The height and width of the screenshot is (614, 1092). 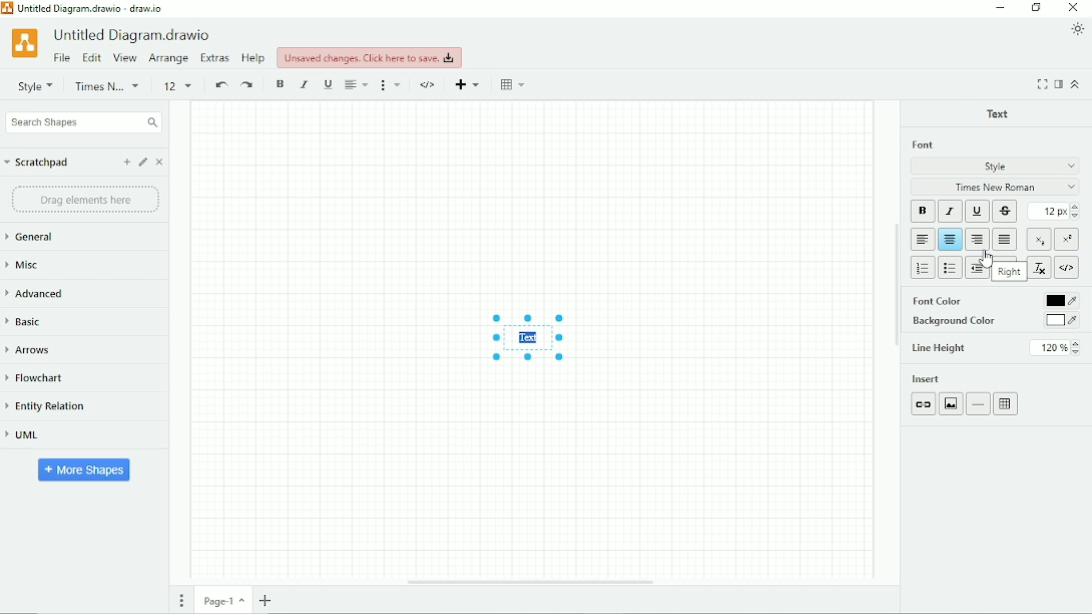 What do you see at coordinates (922, 268) in the screenshot?
I see `Numbered list` at bounding box center [922, 268].